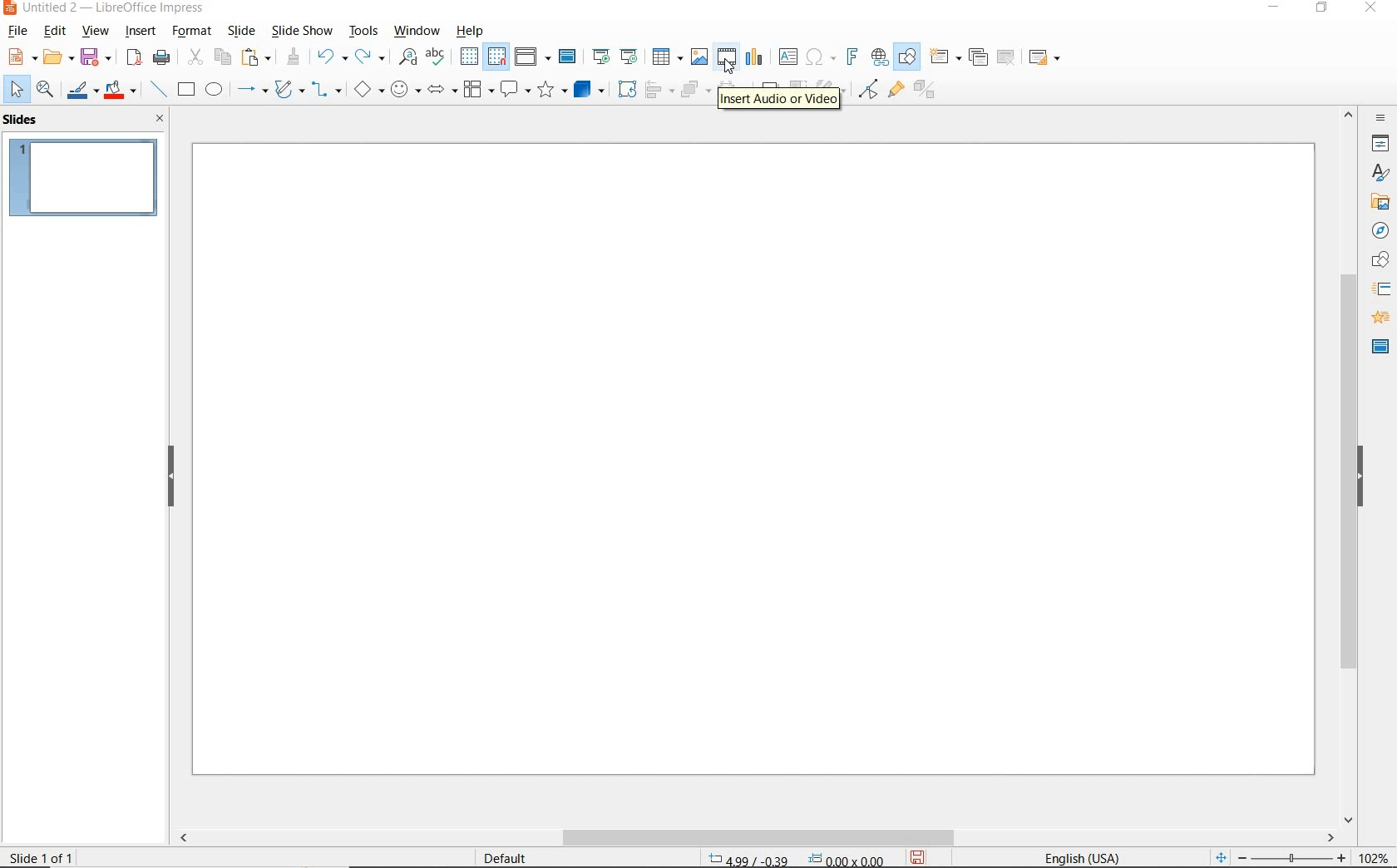 Image resolution: width=1397 pixels, height=868 pixels. Describe the element at coordinates (136, 57) in the screenshot. I see `EXPORT AS PDF` at that location.